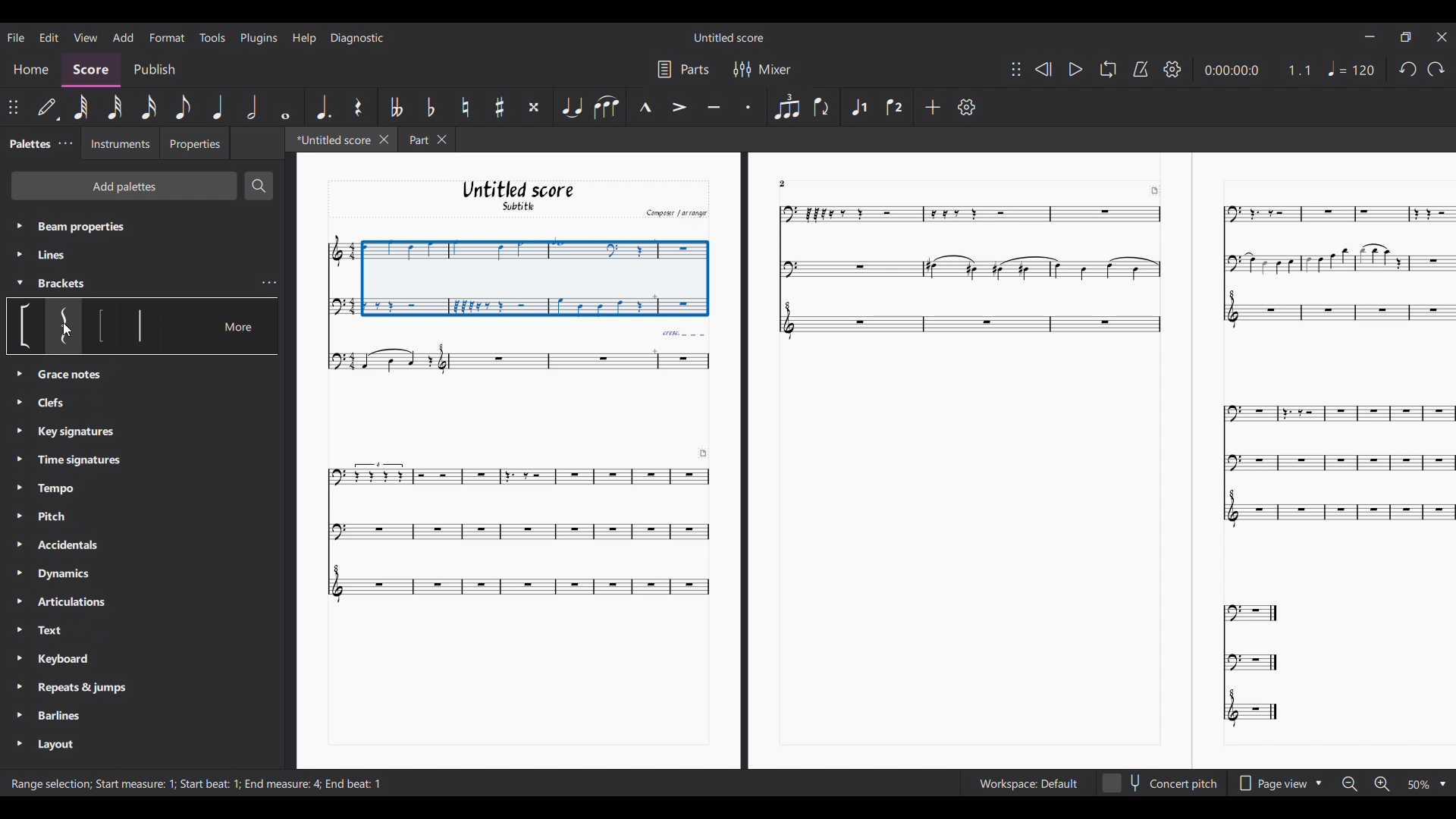 Image resolution: width=1456 pixels, height=819 pixels. What do you see at coordinates (118, 226) in the screenshot?
I see `Beam properties` at bounding box center [118, 226].